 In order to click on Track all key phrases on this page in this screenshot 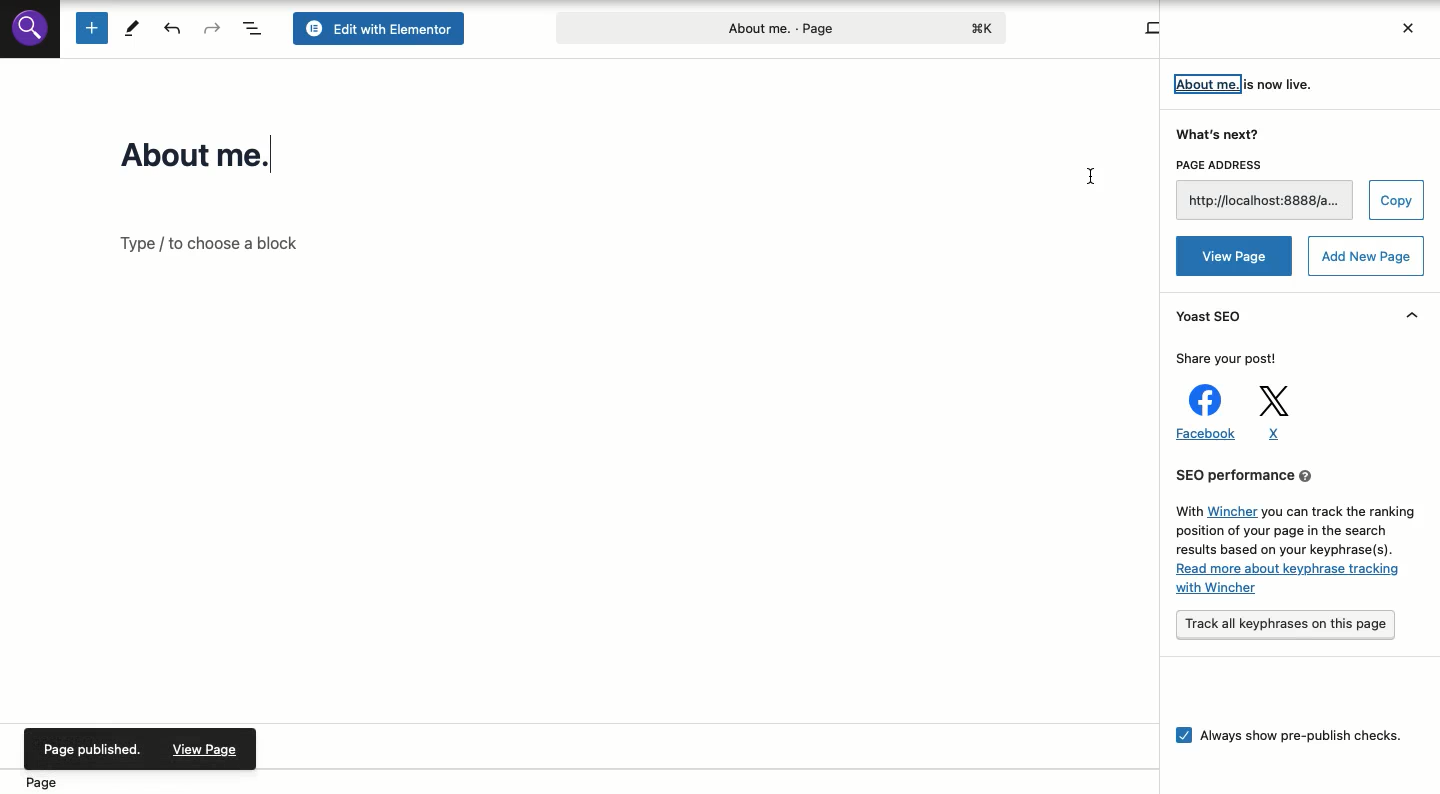, I will do `click(1287, 623)`.